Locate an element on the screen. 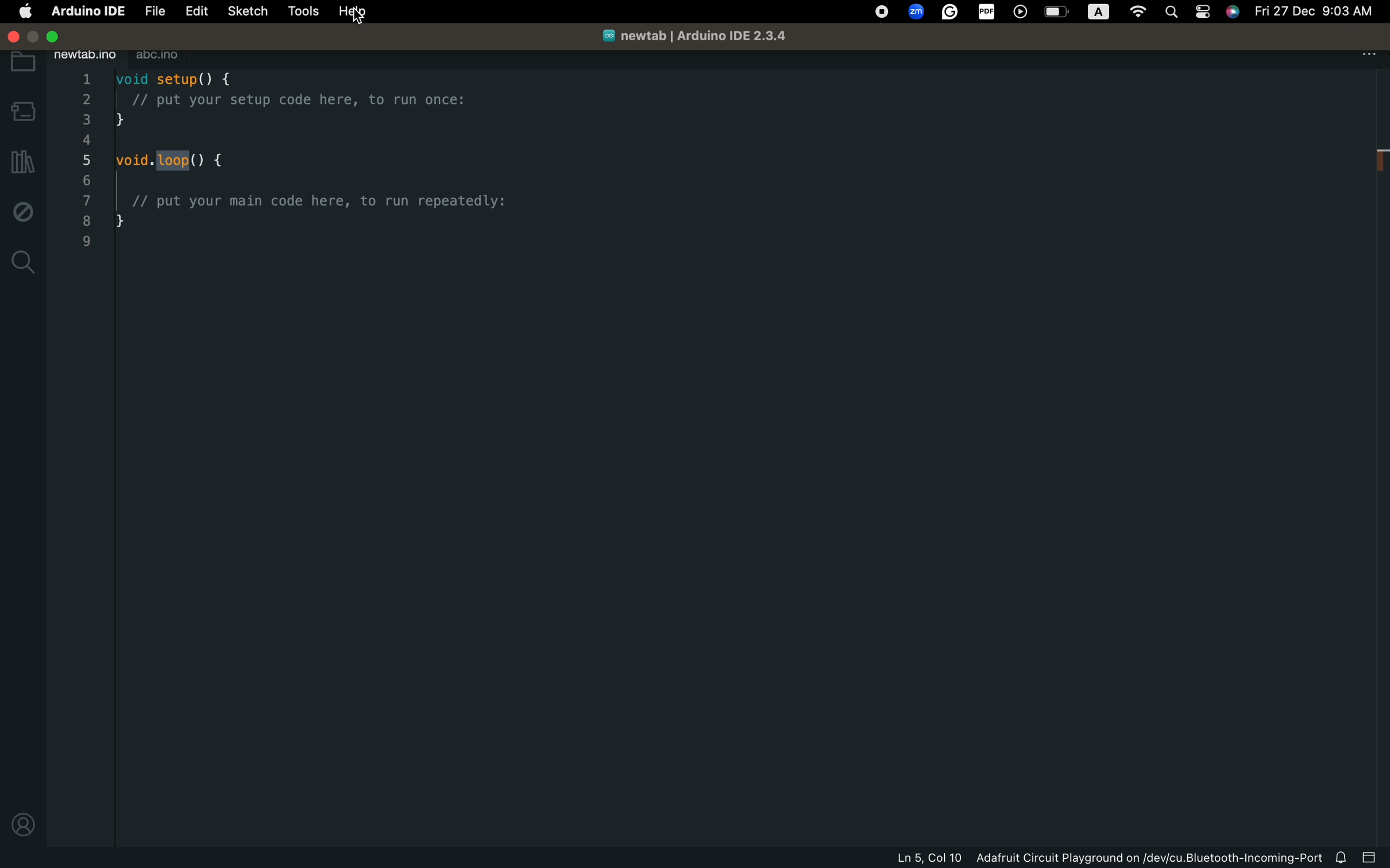 This screenshot has height=868, width=1390. newrab.ino is located at coordinates (86, 55).